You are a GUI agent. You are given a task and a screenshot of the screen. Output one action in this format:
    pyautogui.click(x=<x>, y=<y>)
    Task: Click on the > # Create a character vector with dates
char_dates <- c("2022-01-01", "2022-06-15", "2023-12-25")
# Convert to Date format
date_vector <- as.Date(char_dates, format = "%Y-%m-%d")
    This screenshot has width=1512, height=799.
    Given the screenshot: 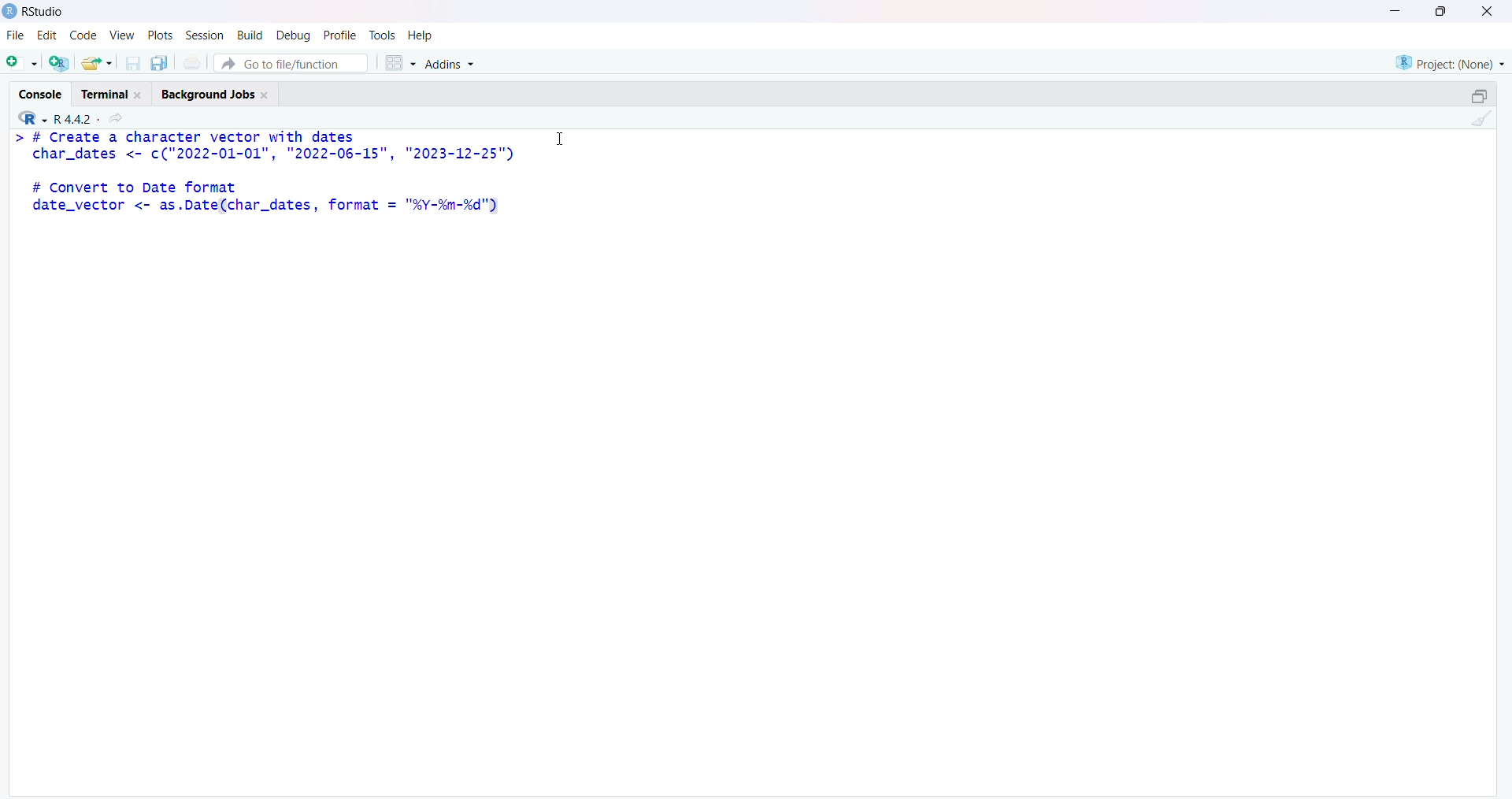 What is the action you would take?
    pyautogui.click(x=259, y=179)
    